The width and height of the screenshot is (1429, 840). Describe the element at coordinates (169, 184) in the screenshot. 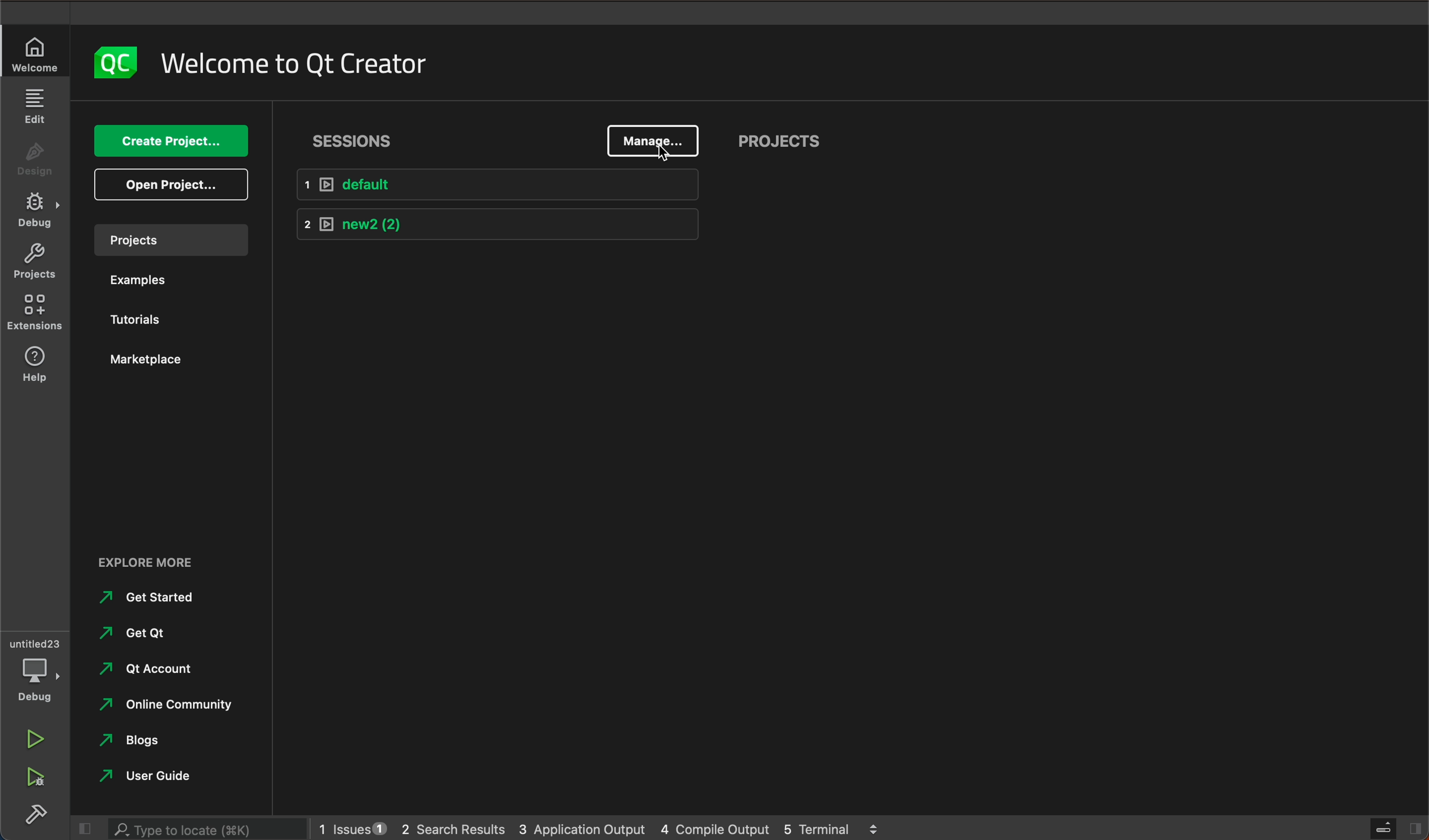

I see `open` at that location.